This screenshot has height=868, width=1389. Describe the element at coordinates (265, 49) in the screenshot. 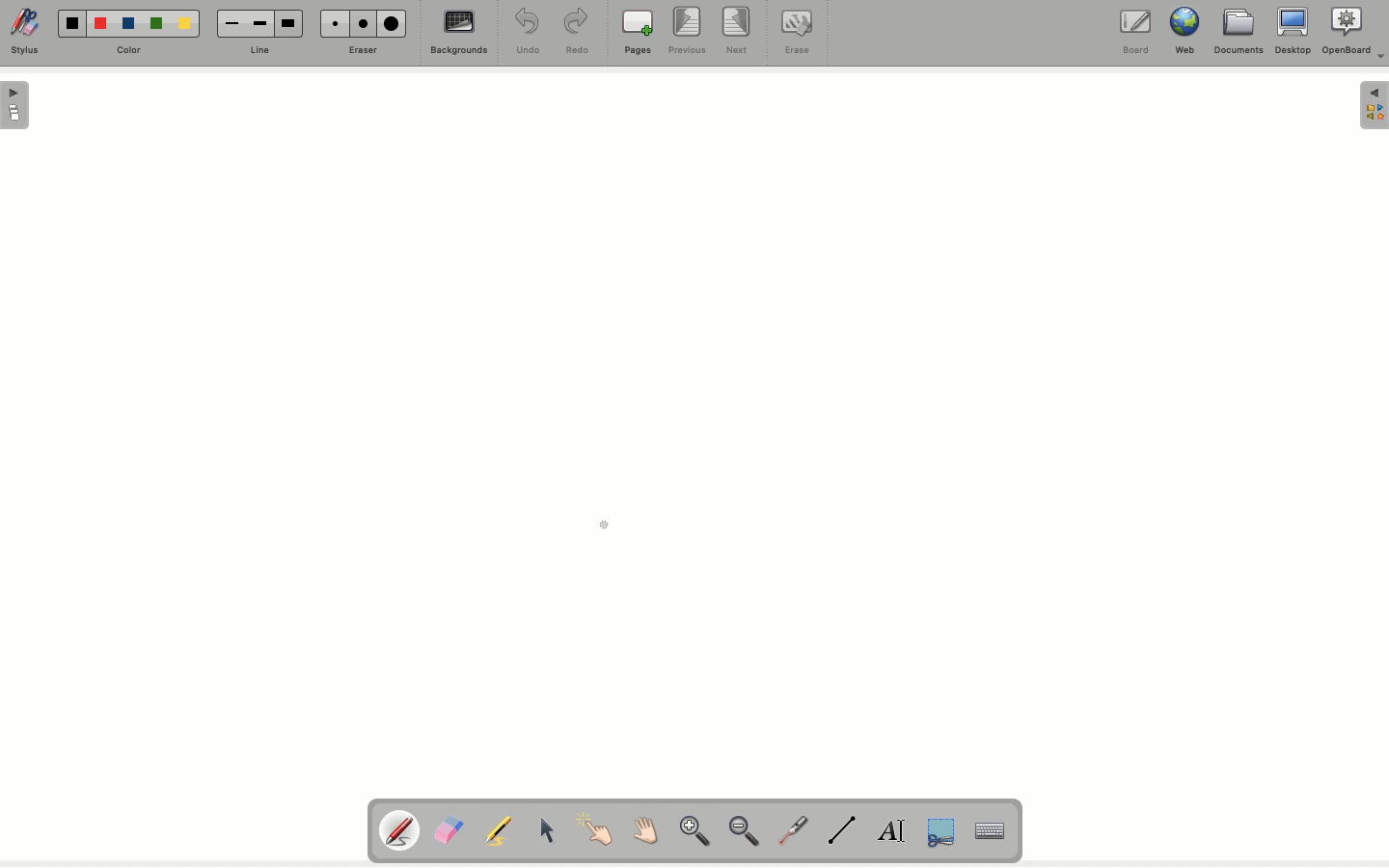

I see `Line` at that location.